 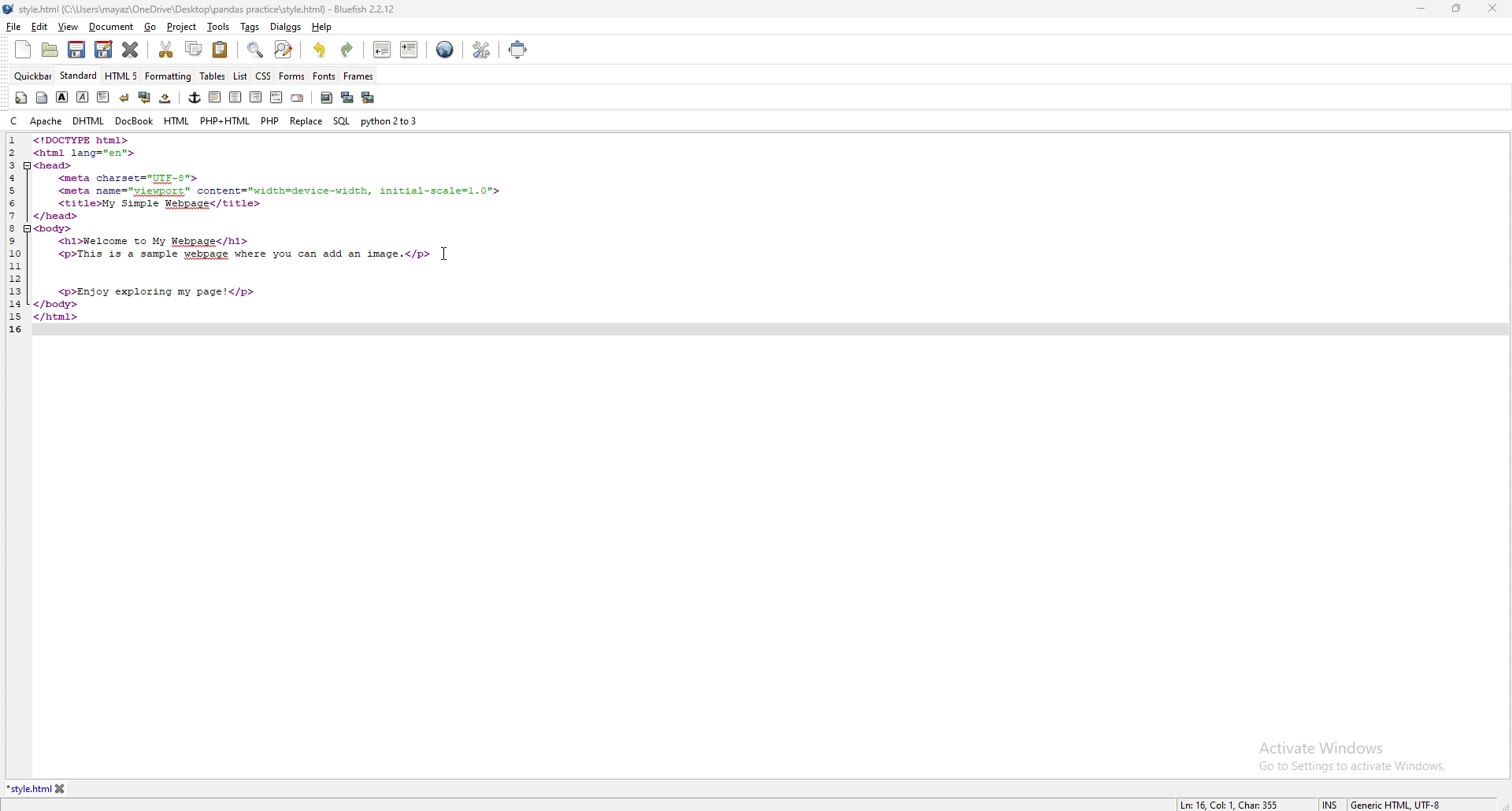 What do you see at coordinates (85, 153) in the screenshot?
I see `<html lang="en">` at bounding box center [85, 153].